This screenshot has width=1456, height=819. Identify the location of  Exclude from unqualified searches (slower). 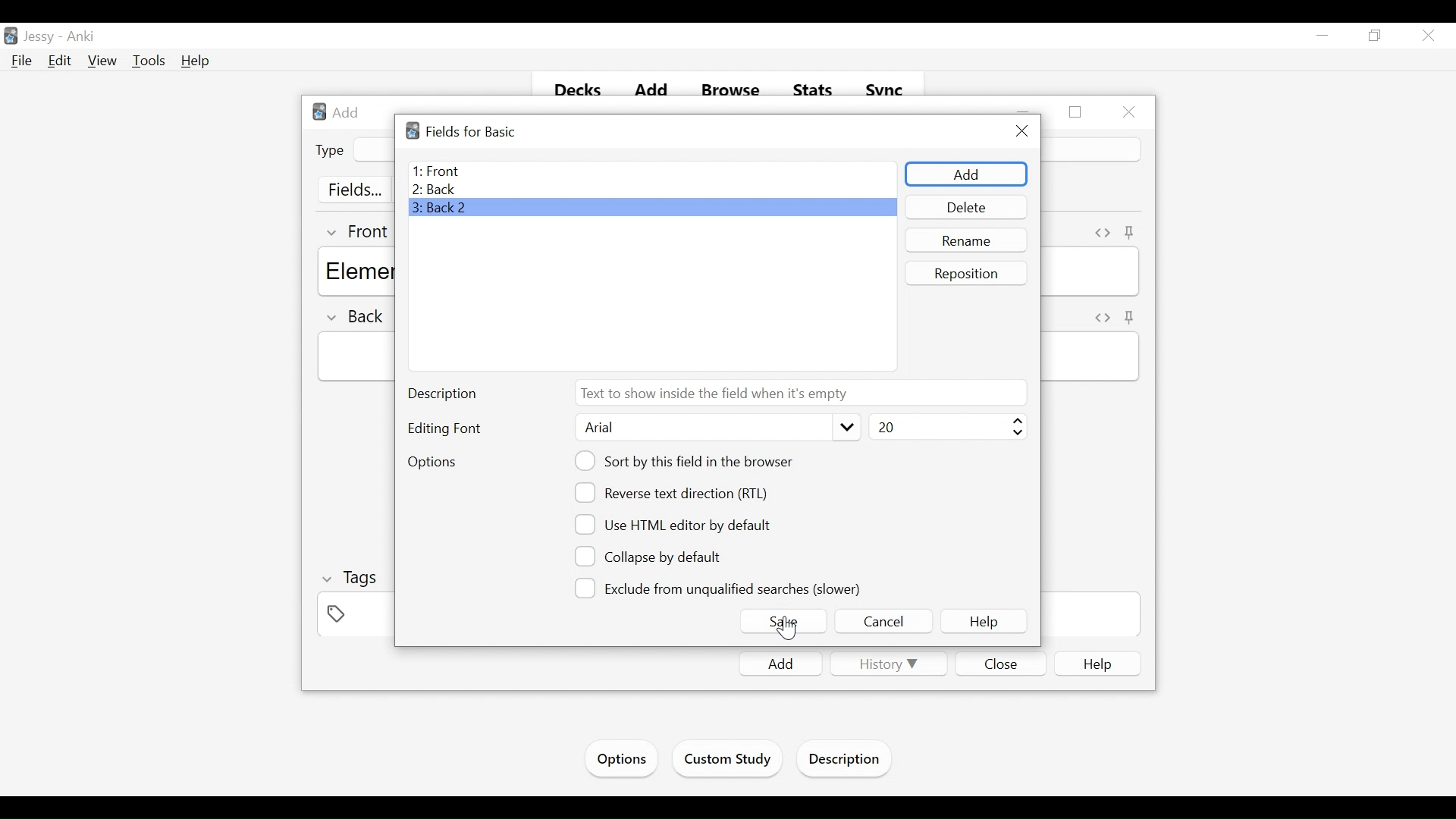
(720, 588).